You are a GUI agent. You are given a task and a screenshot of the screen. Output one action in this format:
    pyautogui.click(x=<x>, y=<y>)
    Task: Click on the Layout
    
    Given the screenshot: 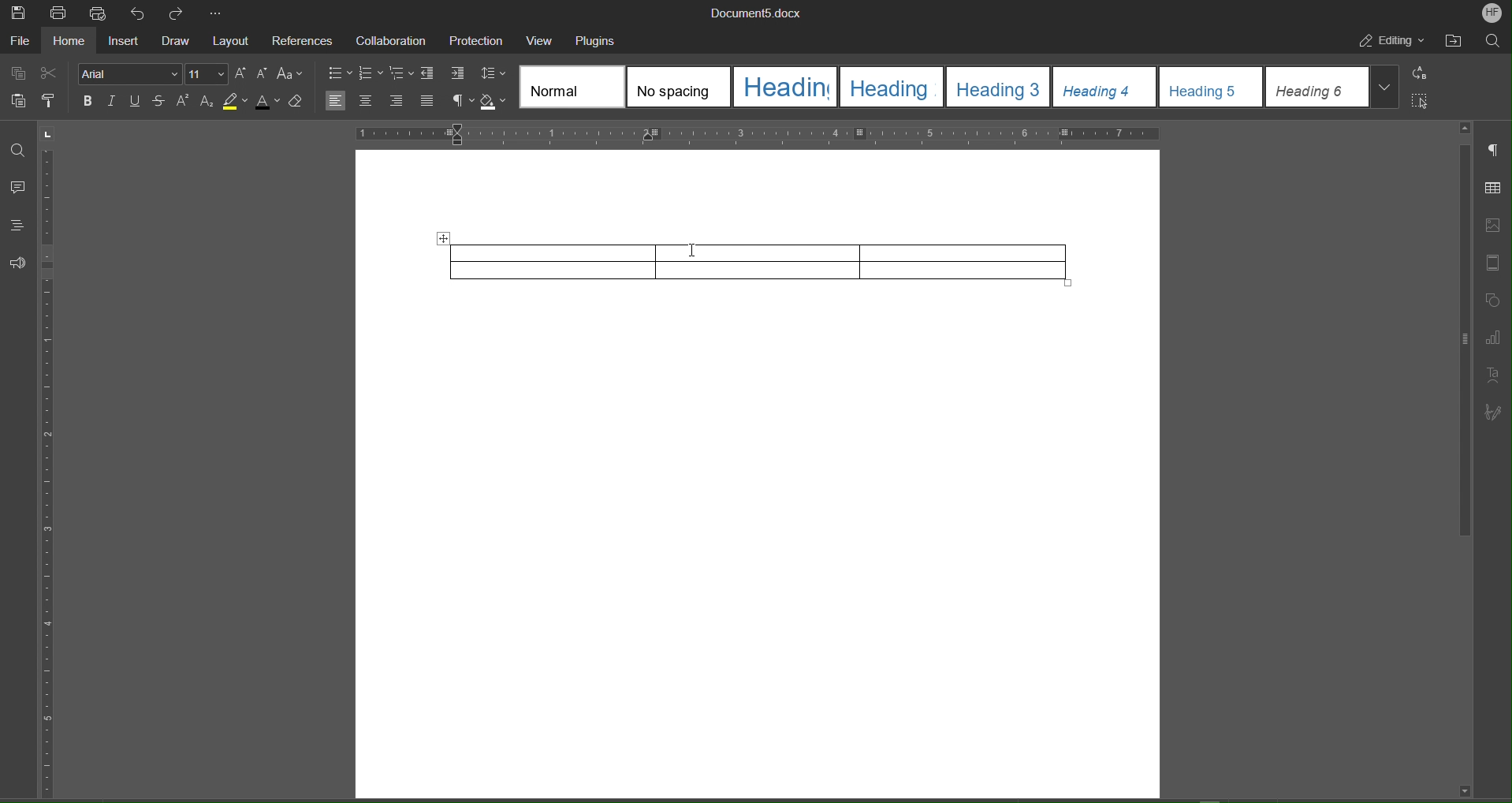 What is the action you would take?
    pyautogui.click(x=234, y=43)
    